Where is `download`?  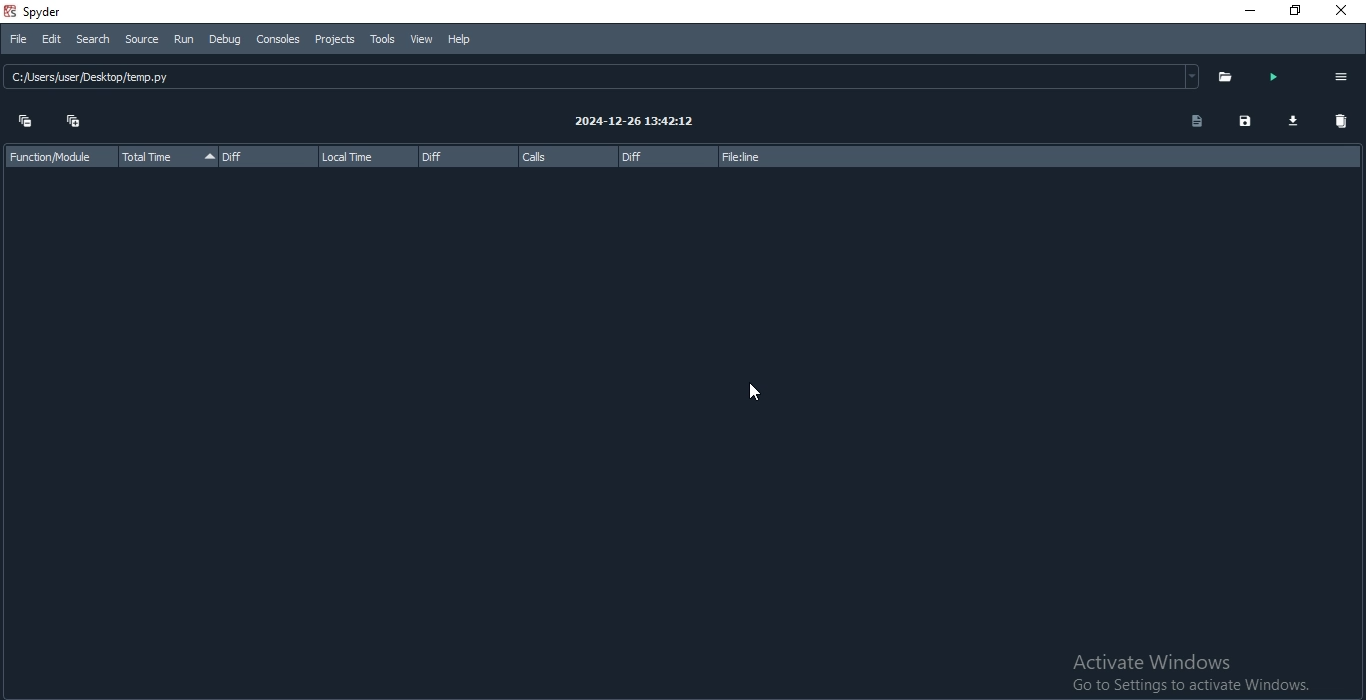
download is located at coordinates (1289, 122).